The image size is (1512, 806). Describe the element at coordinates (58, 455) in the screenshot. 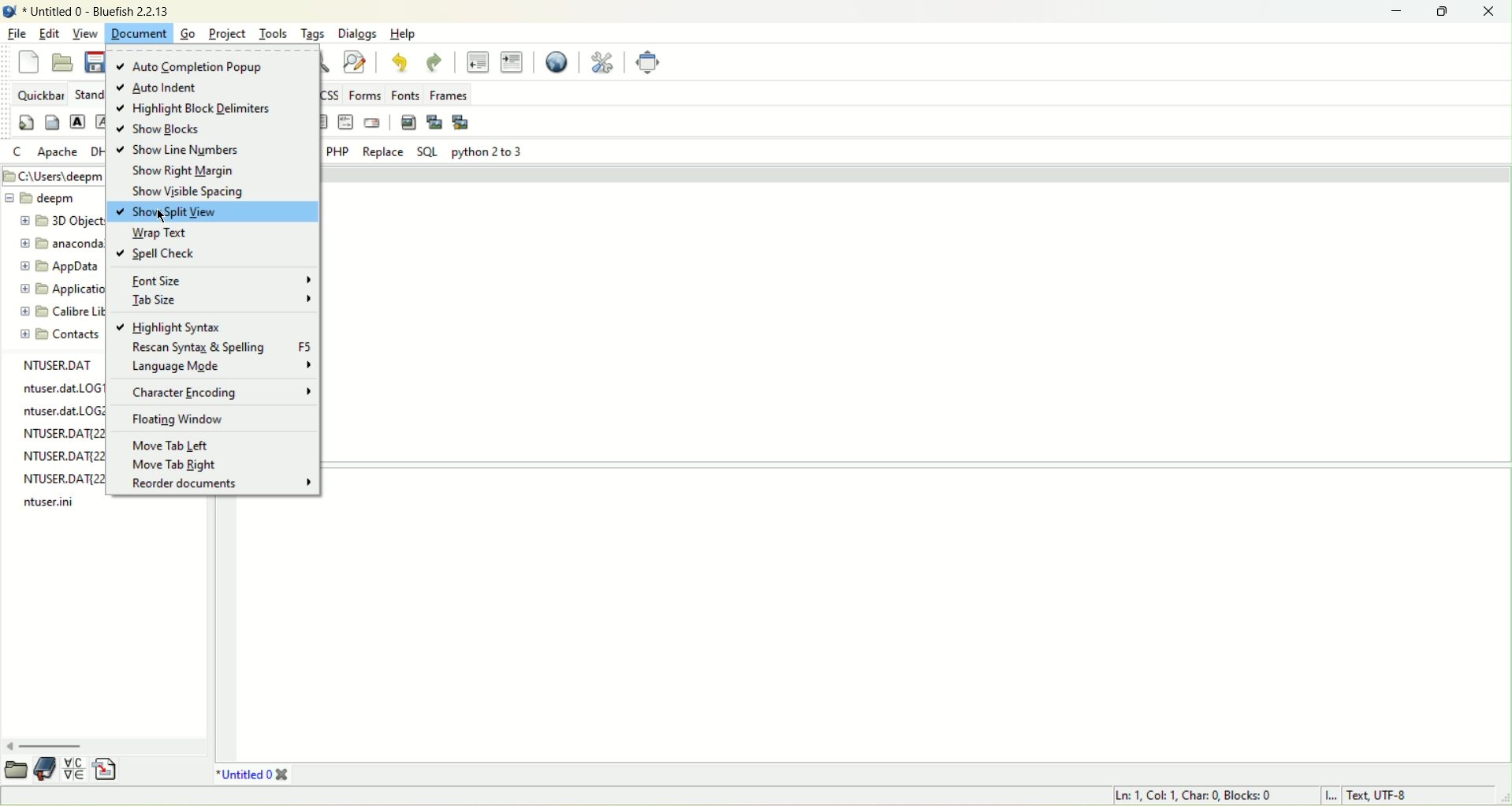

I see `NTUSER.DAT{221283a0-2361-11ee-` at that location.